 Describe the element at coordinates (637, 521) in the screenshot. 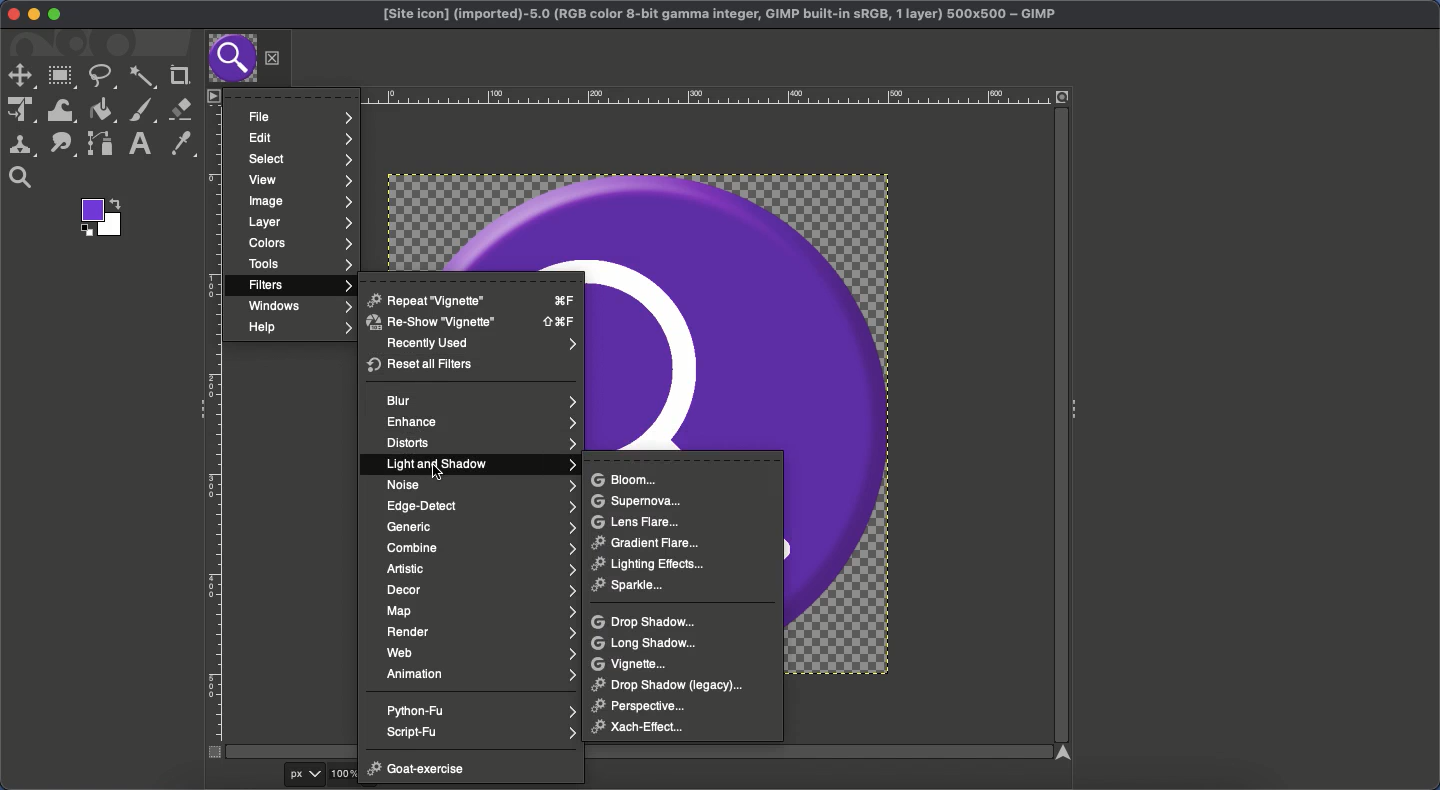

I see `Lens flar` at that location.